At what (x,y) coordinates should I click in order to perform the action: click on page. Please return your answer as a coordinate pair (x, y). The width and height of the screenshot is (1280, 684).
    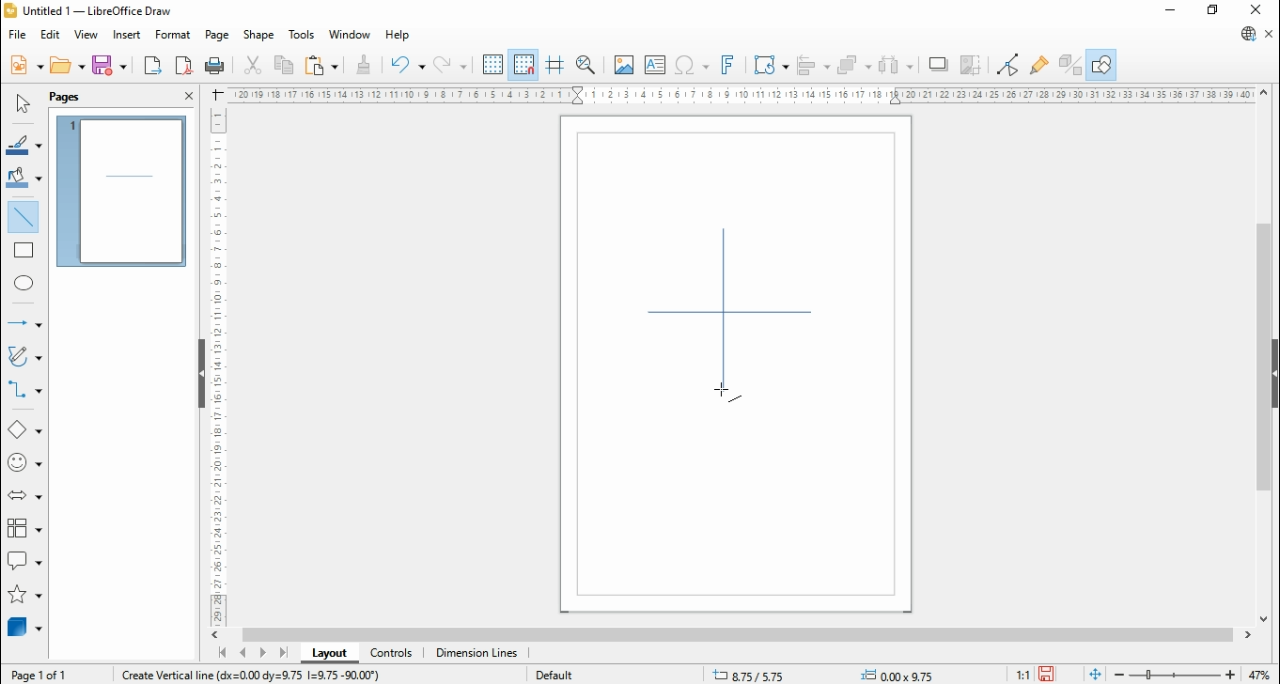
    Looking at the image, I should click on (65, 98).